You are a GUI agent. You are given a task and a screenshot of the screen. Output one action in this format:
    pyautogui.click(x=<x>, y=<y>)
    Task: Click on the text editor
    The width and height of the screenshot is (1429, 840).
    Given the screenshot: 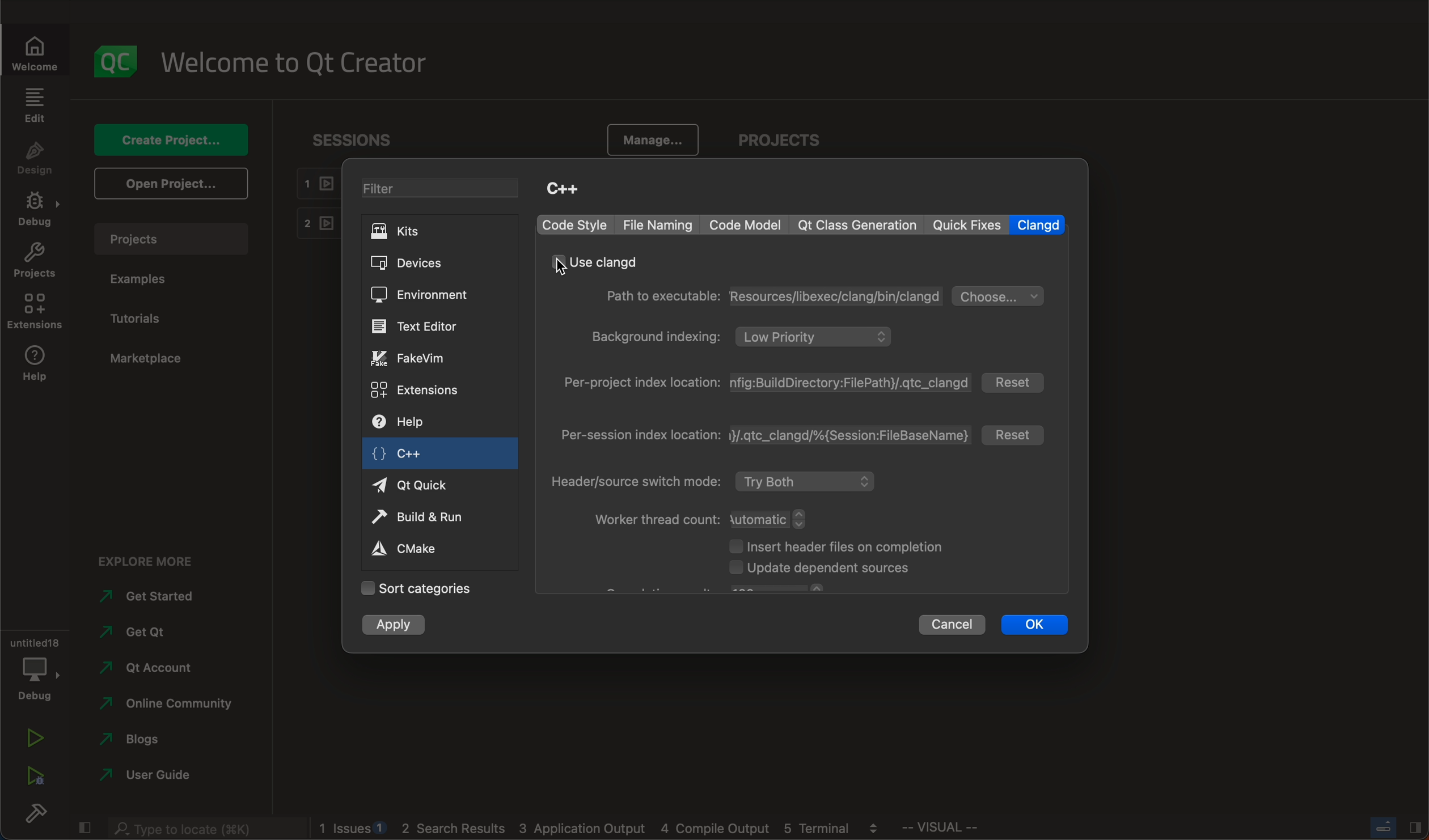 What is the action you would take?
    pyautogui.click(x=431, y=327)
    